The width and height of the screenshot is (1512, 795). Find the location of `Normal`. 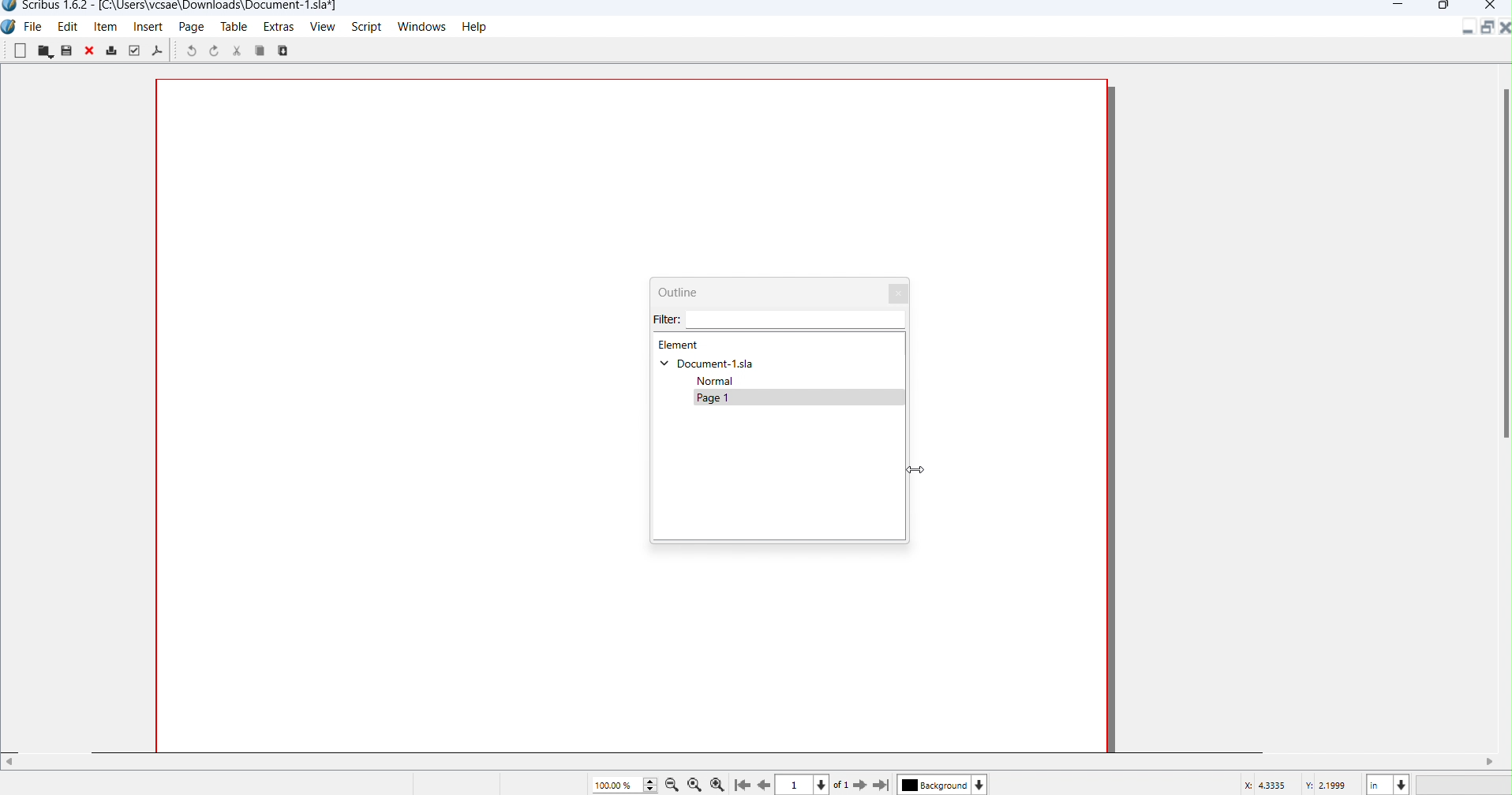

Normal is located at coordinates (728, 382).